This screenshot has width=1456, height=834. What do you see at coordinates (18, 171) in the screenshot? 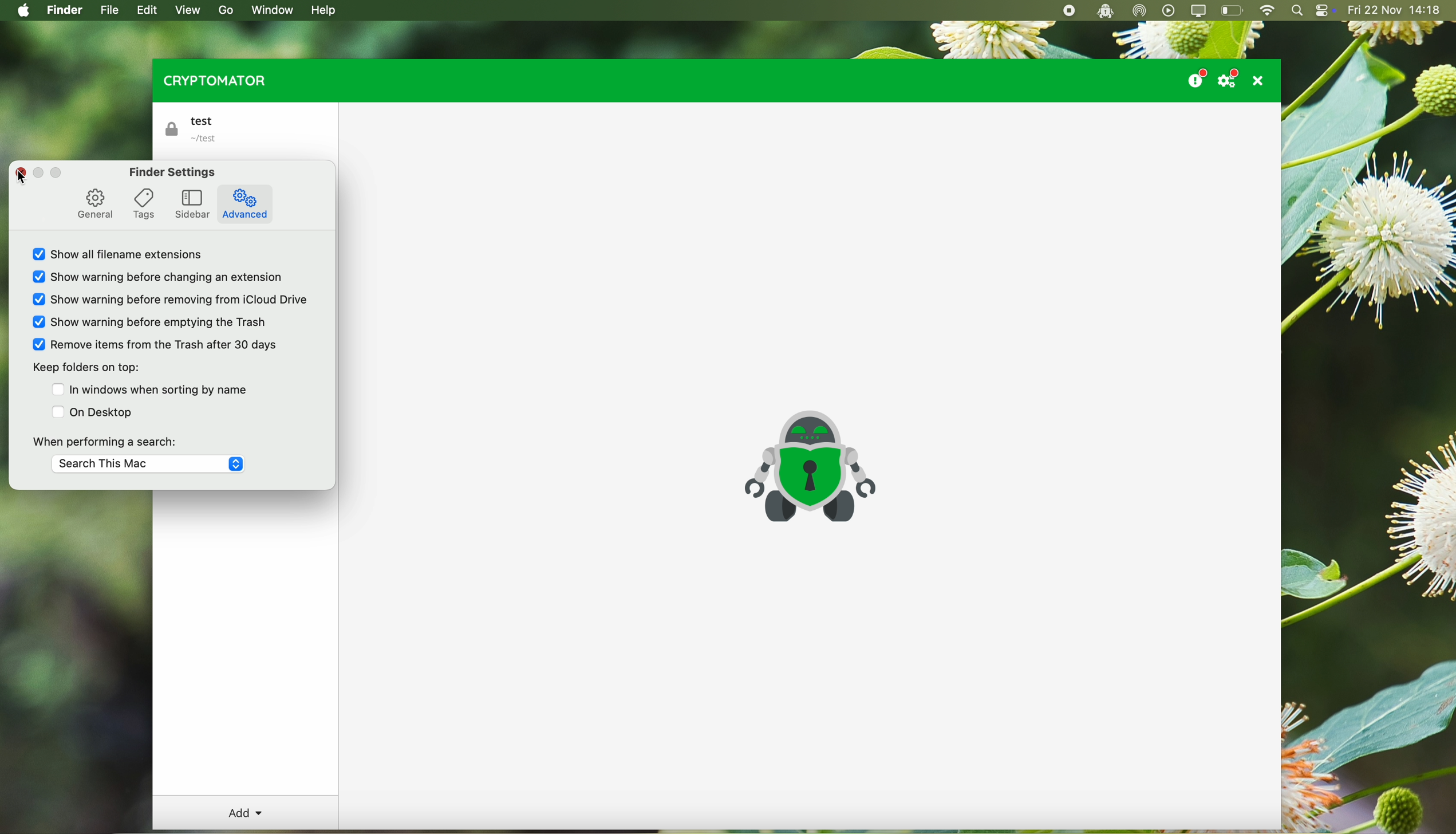
I see `close pop-up` at bounding box center [18, 171].